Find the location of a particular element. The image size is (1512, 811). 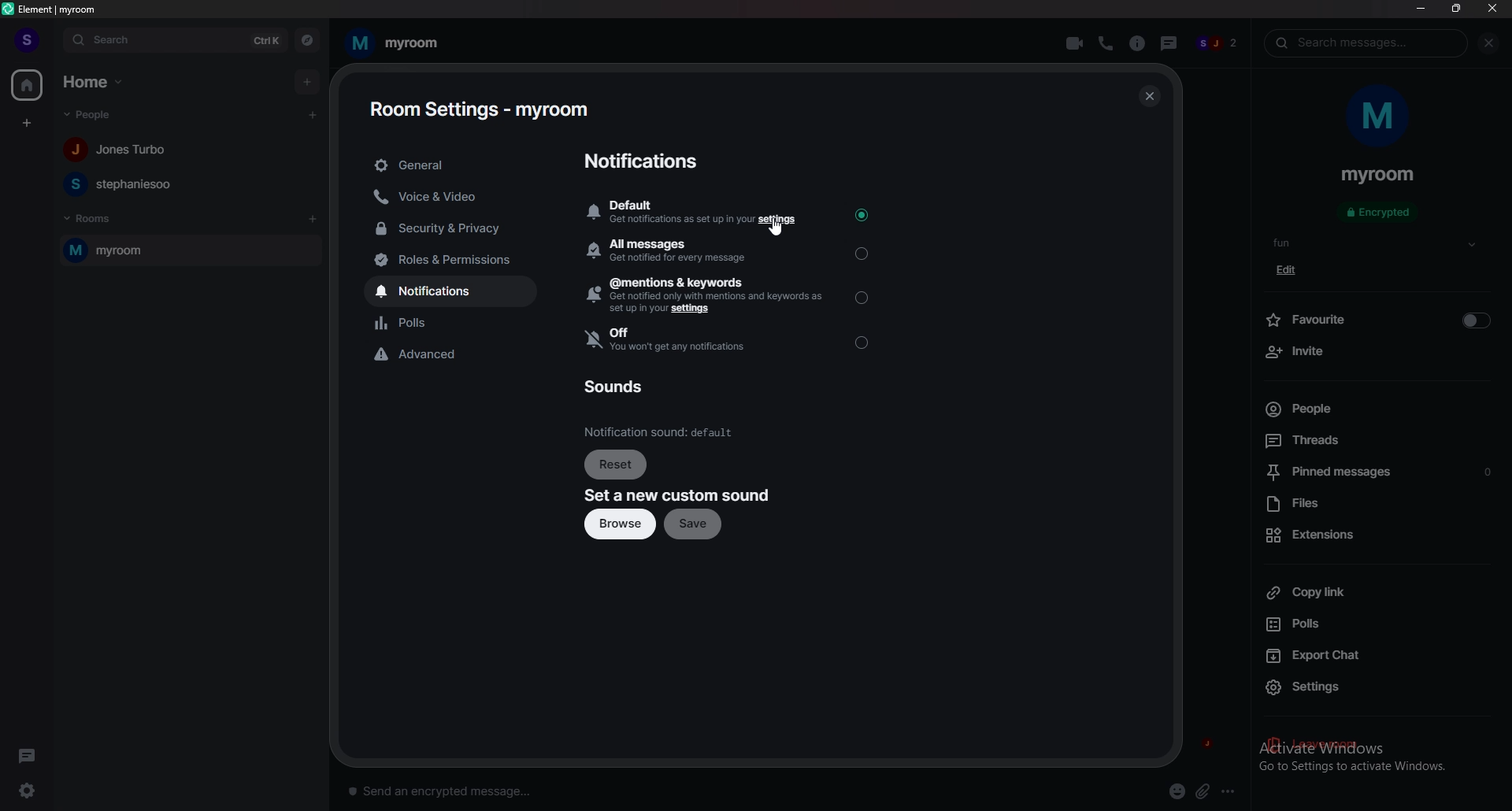

explore rooms is located at coordinates (307, 39).